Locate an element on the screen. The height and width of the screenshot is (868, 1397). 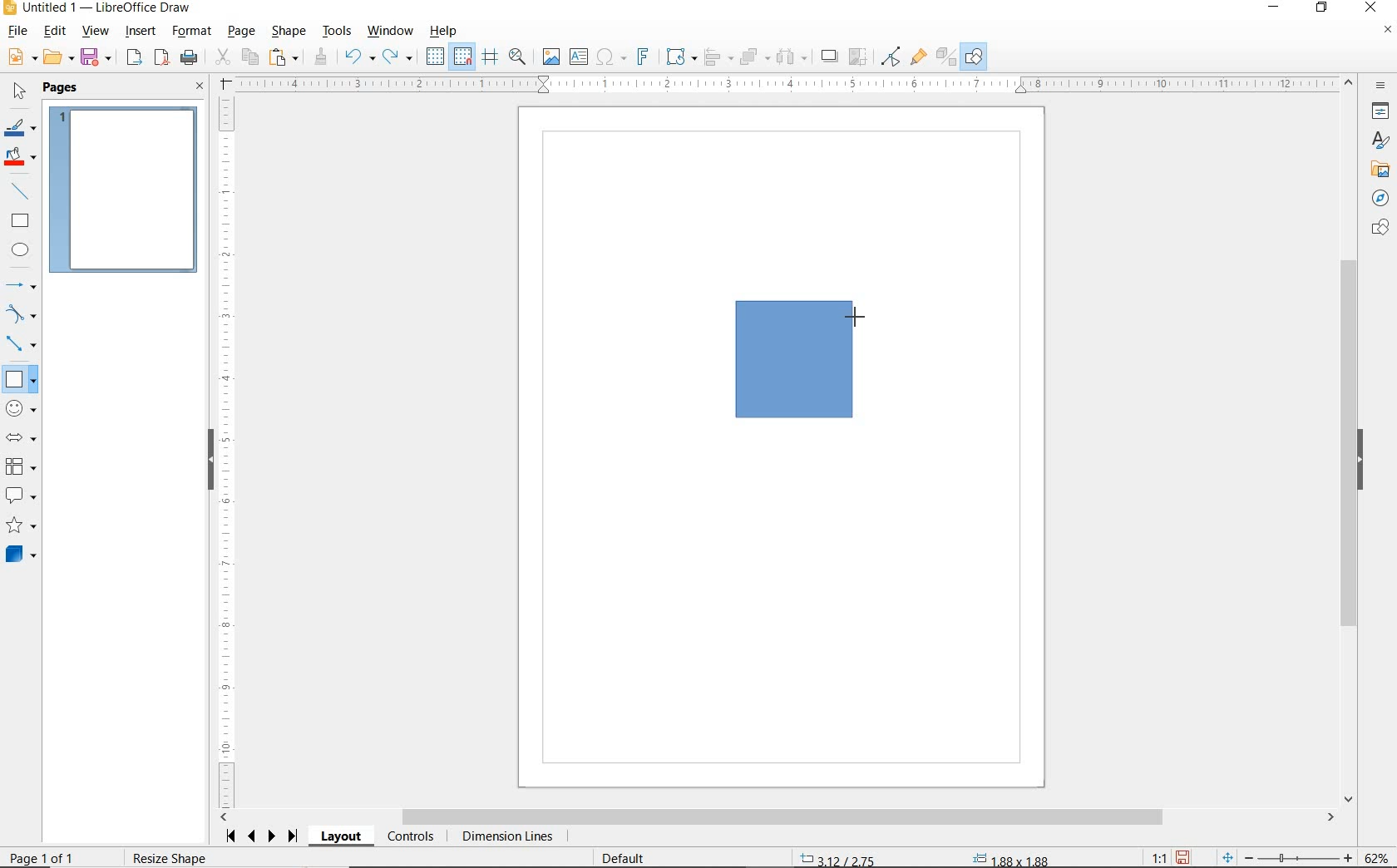
OPEN is located at coordinates (59, 57).